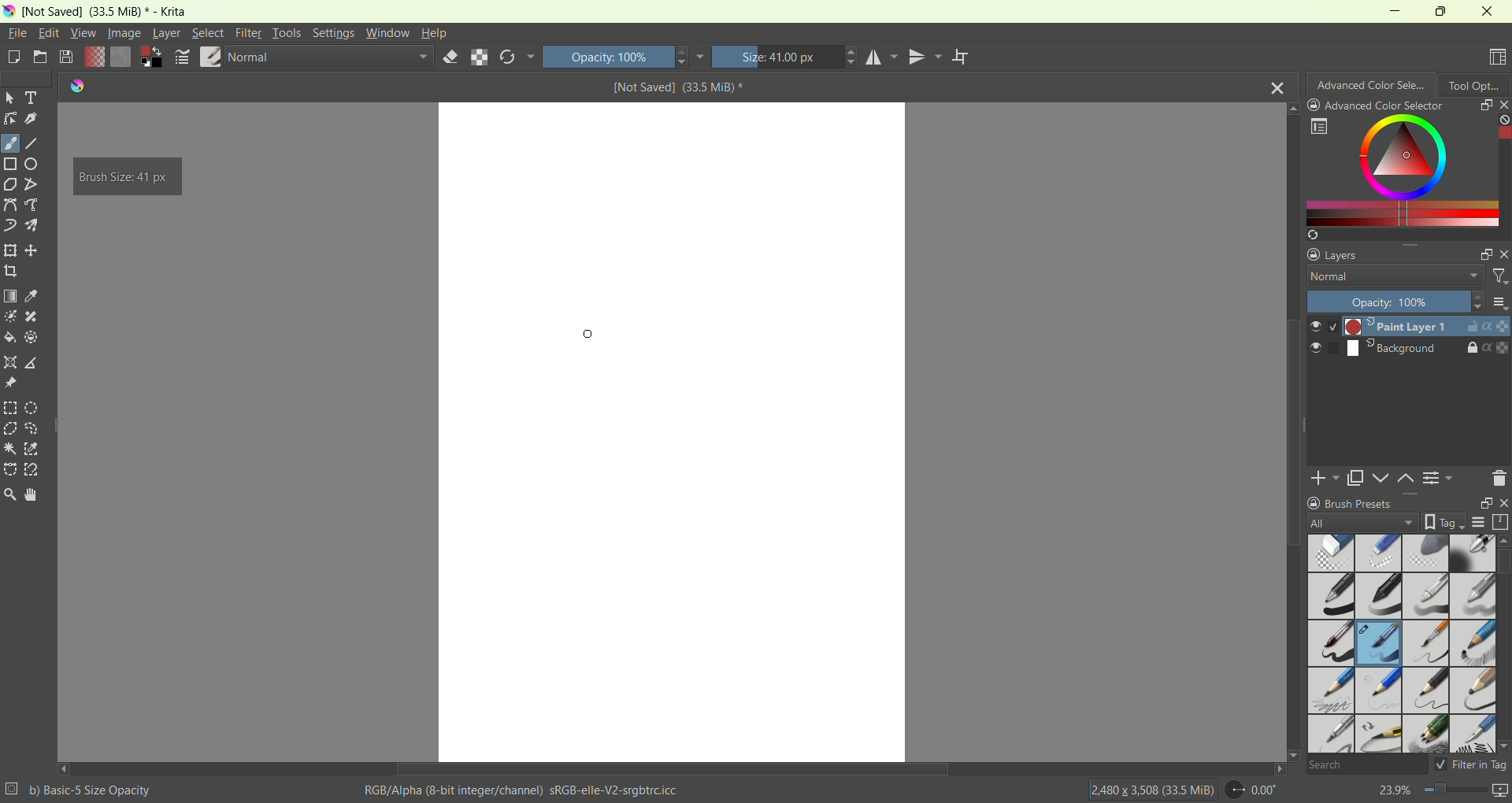 The image size is (1512, 803). What do you see at coordinates (1471, 764) in the screenshot?
I see `filter in tag` at bounding box center [1471, 764].